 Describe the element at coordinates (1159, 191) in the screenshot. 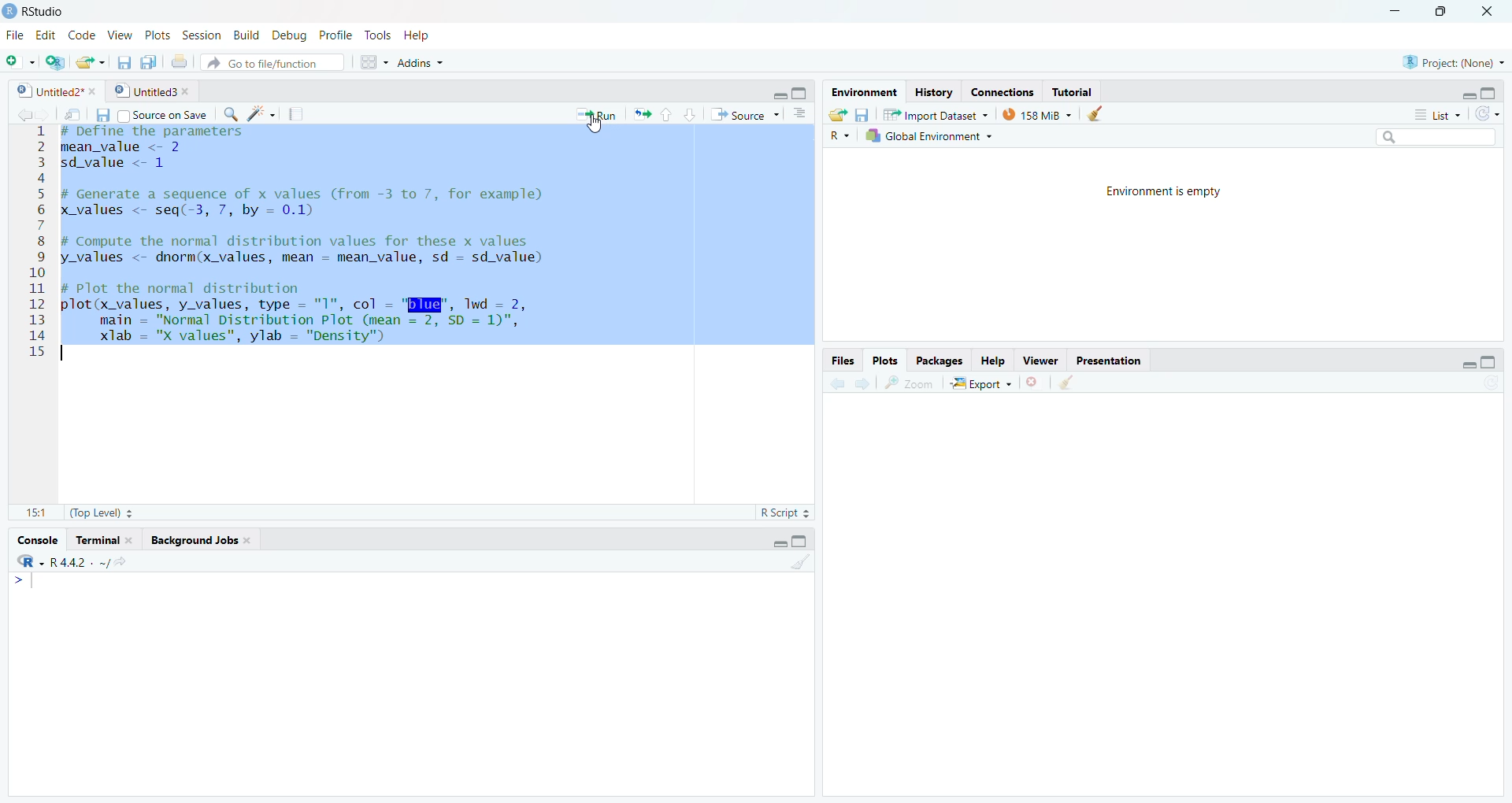

I see `Environment is empty` at that location.